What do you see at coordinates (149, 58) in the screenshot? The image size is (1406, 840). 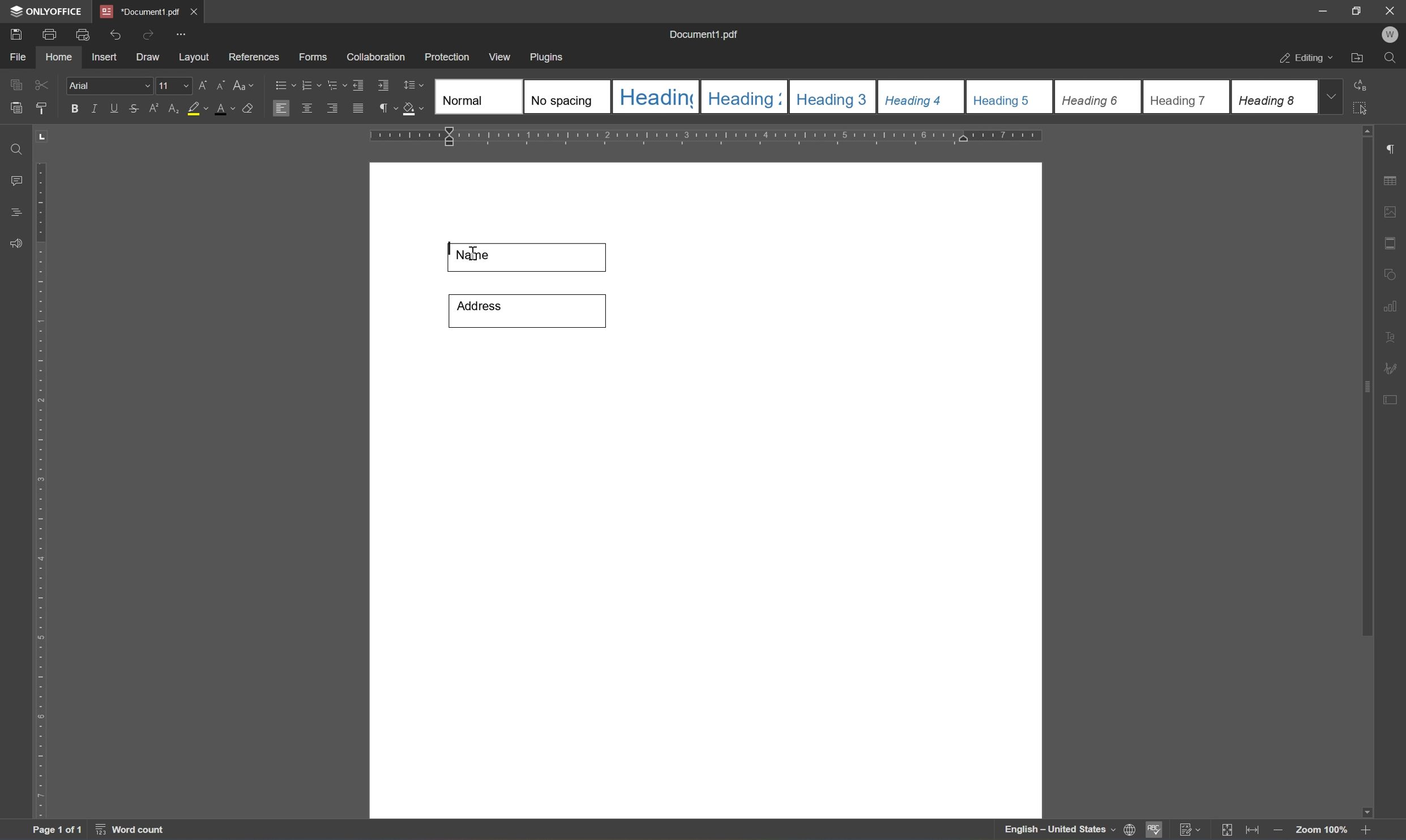 I see `draw` at bounding box center [149, 58].